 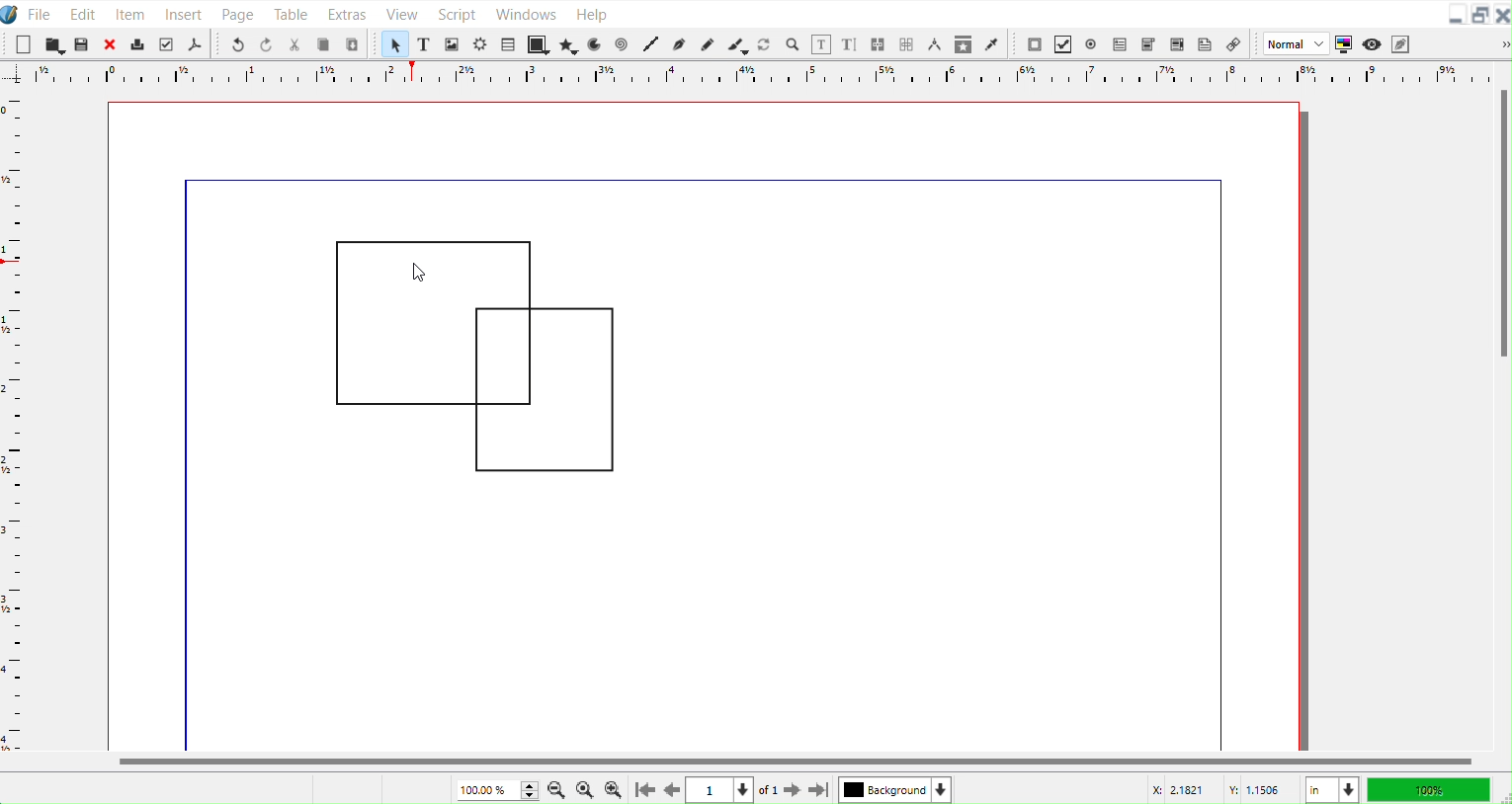 I want to click on PDF Combo Box, so click(x=1148, y=43).